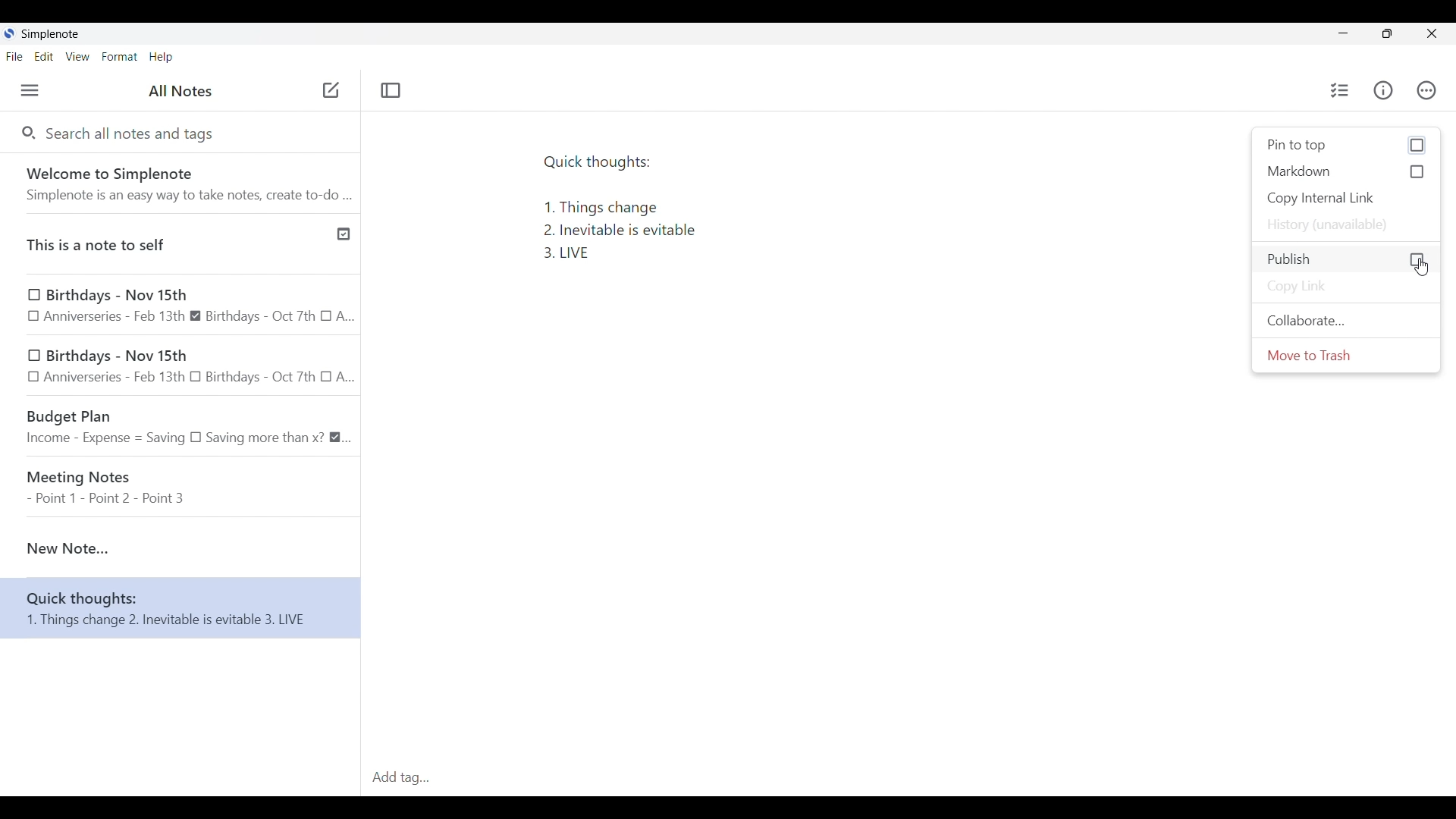 The width and height of the screenshot is (1456, 819). What do you see at coordinates (184, 184) in the screenshot?
I see `Welcome note from software ` at bounding box center [184, 184].